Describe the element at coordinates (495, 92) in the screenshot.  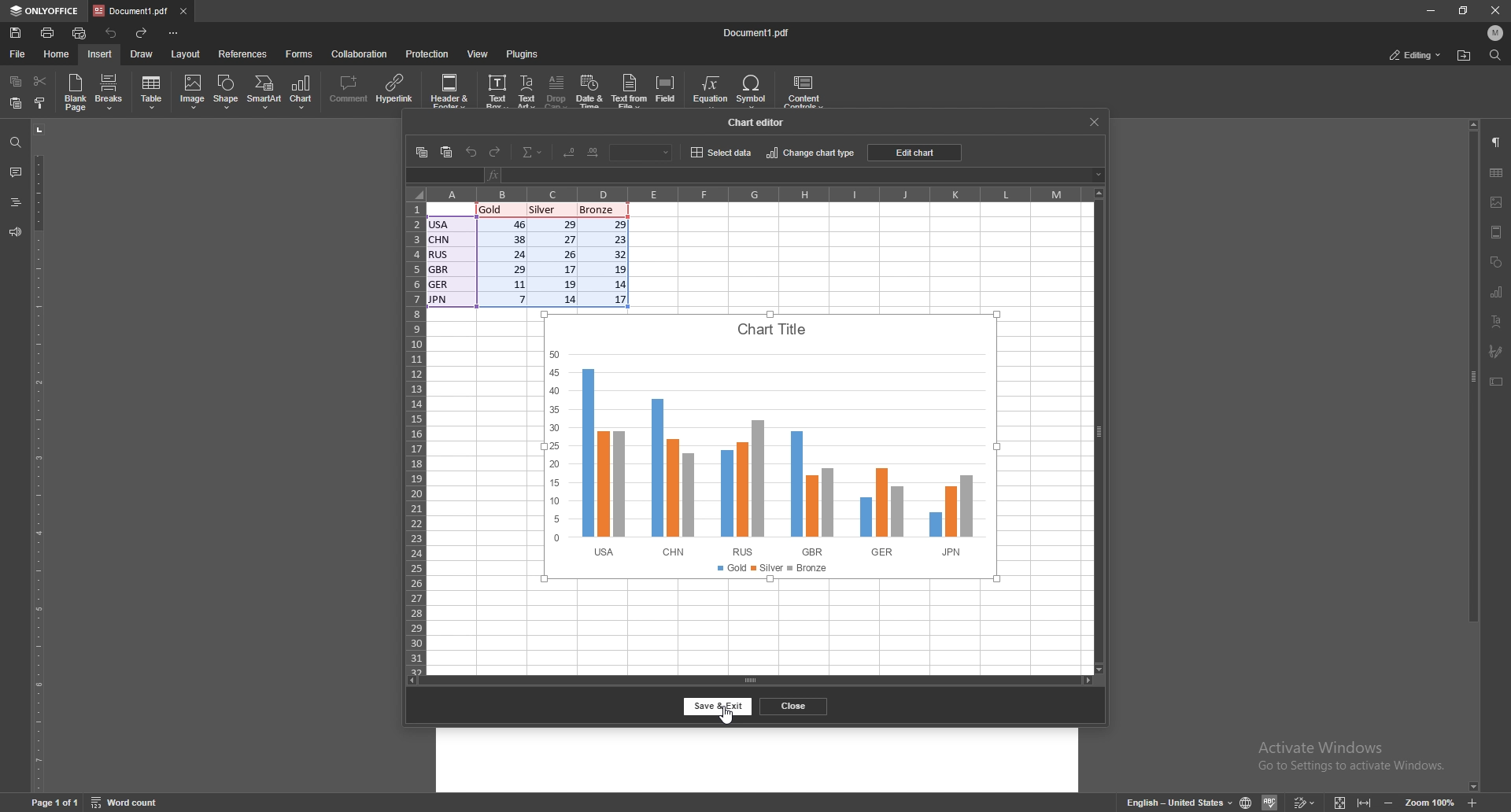
I see `credit card` at that location.